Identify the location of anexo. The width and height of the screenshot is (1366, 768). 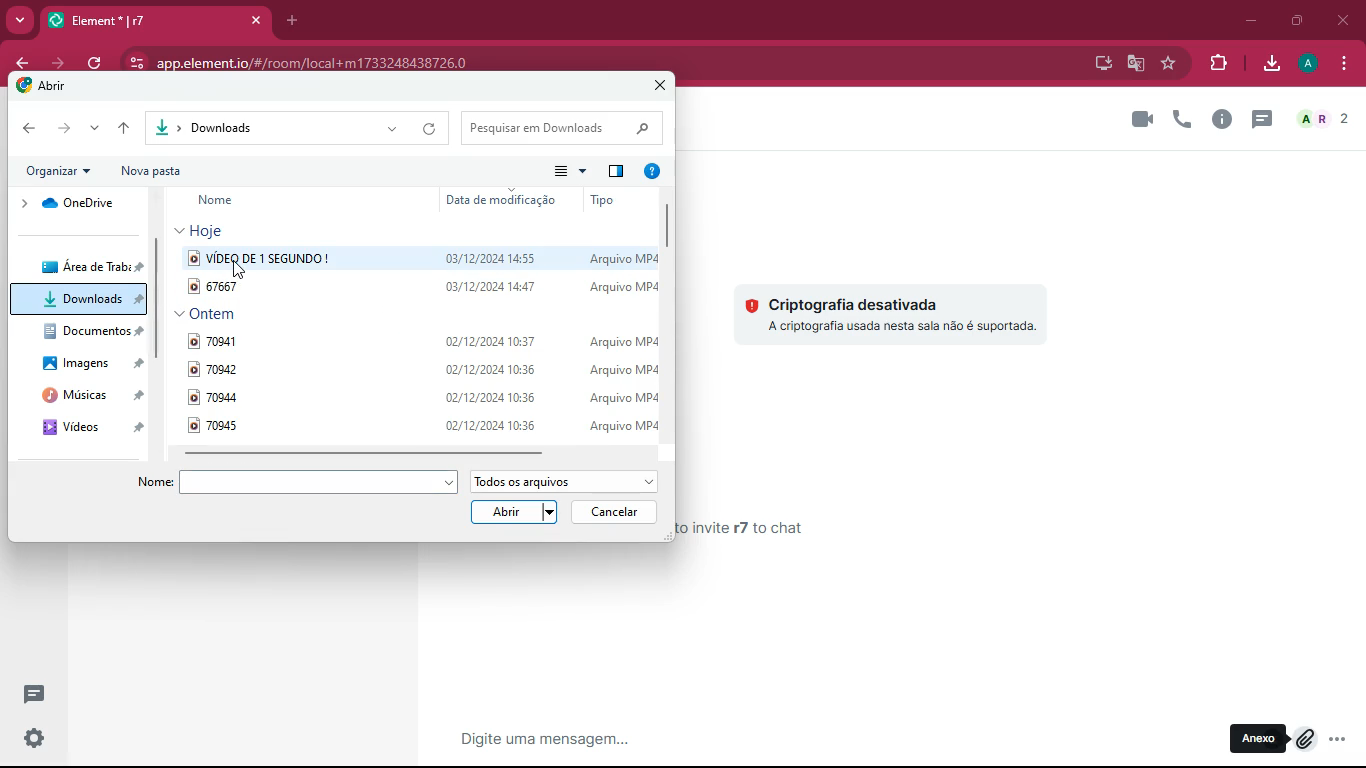
(1260, 740).